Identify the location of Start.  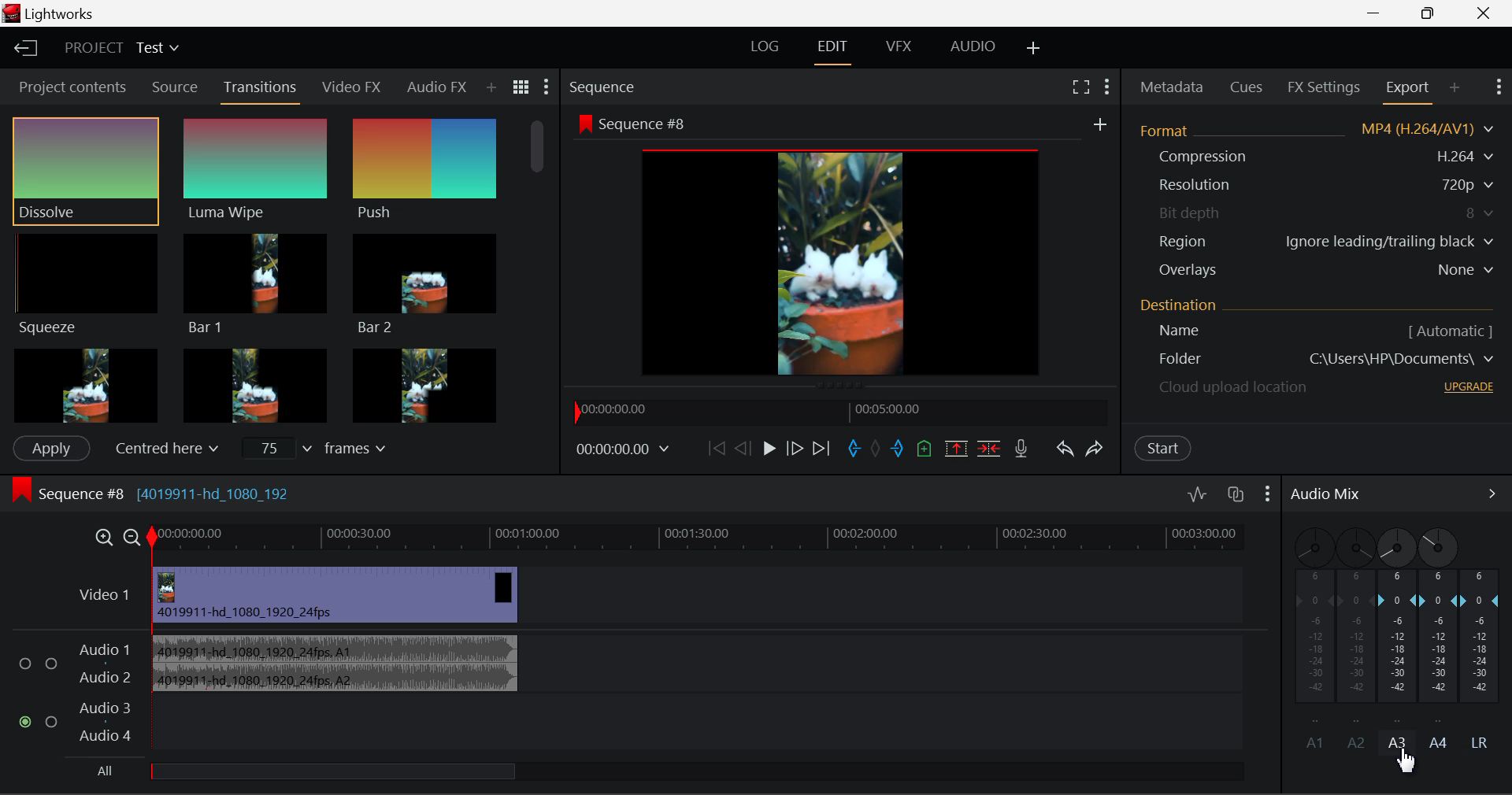
(1164, 448).